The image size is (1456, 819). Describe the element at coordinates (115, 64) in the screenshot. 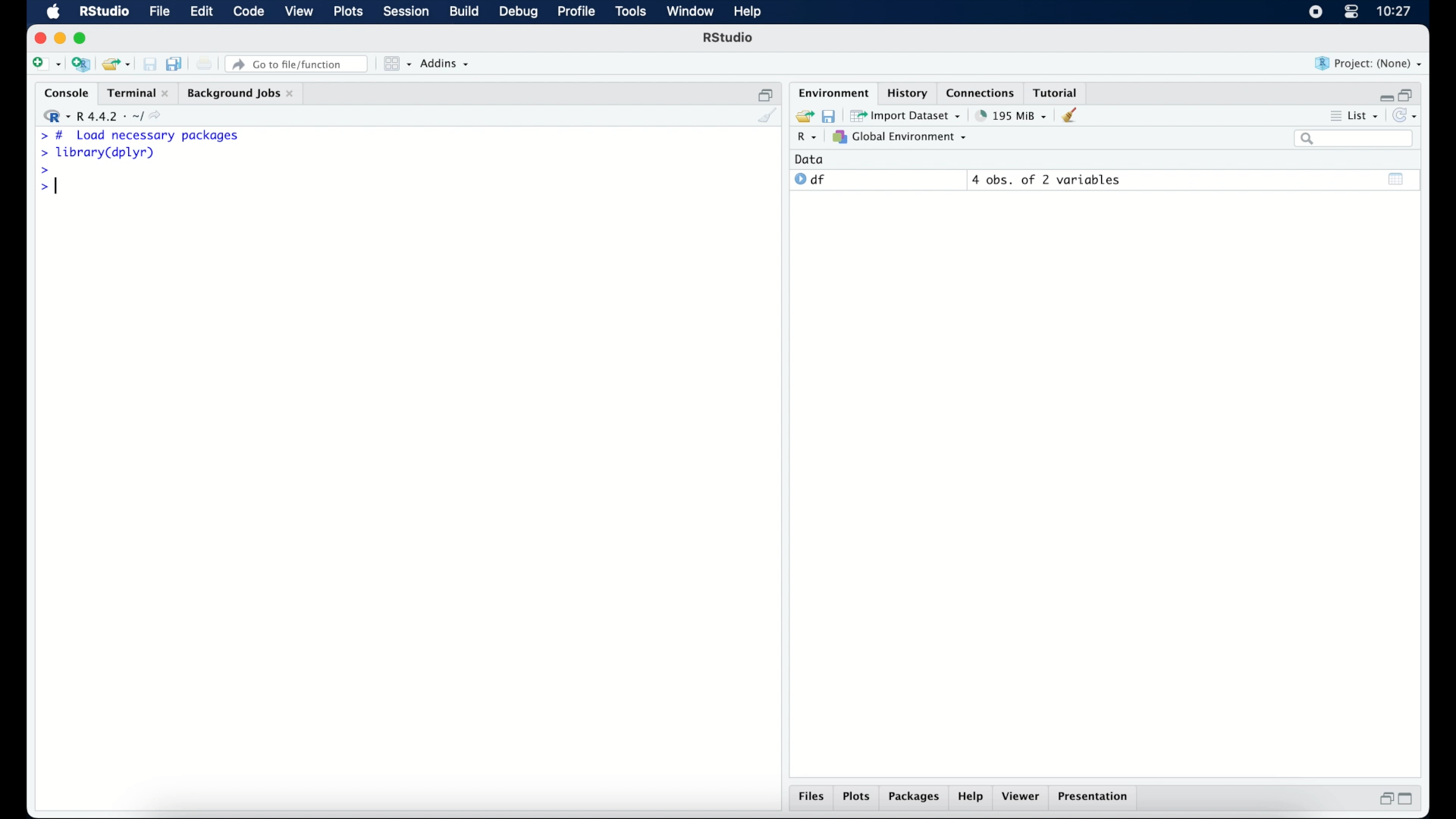

I see `load existing project` at that location.